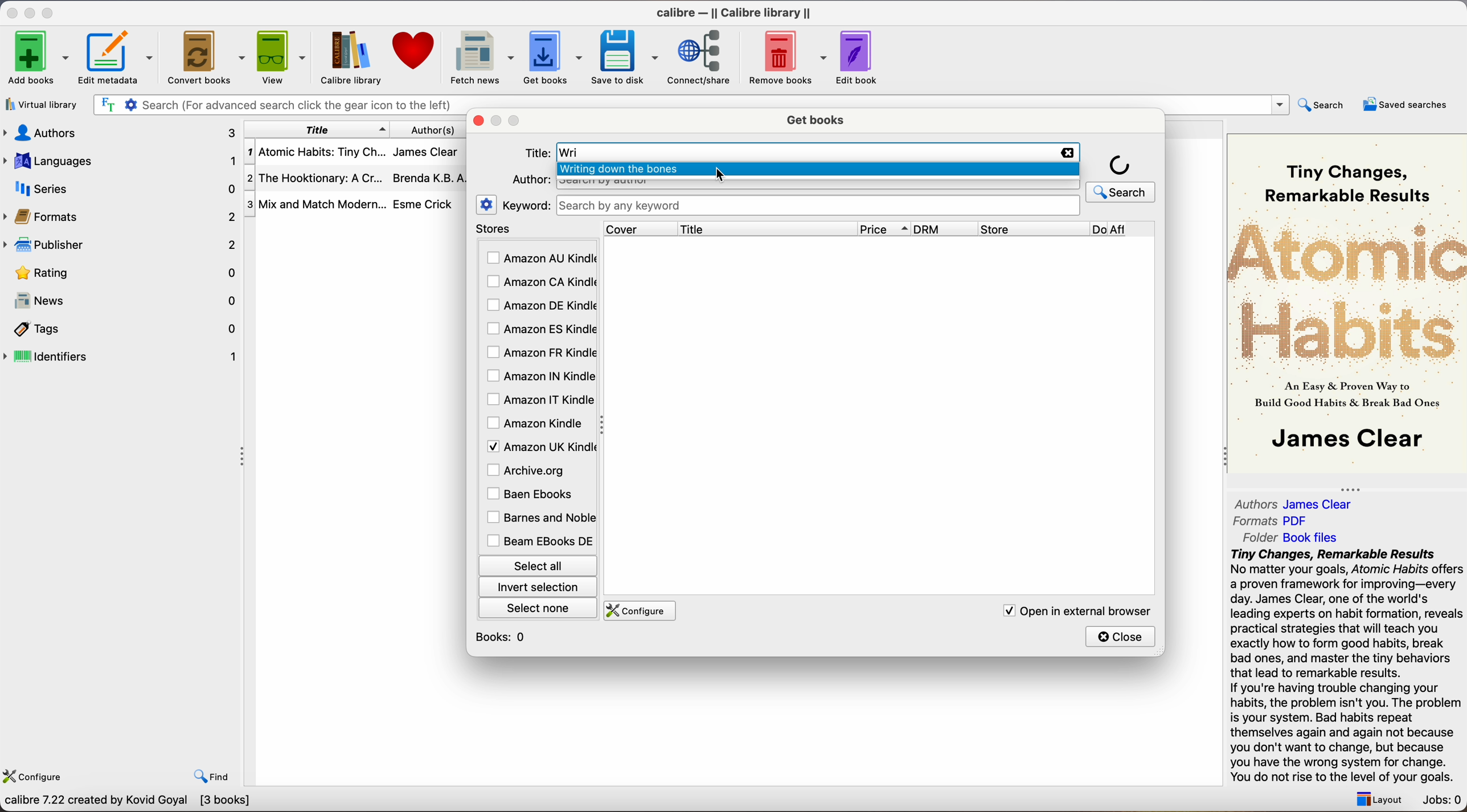 This screenshot has height=812, width=1467. Describe the element at coordinates (529, 179) in the screenshot. I see `author` at that location.